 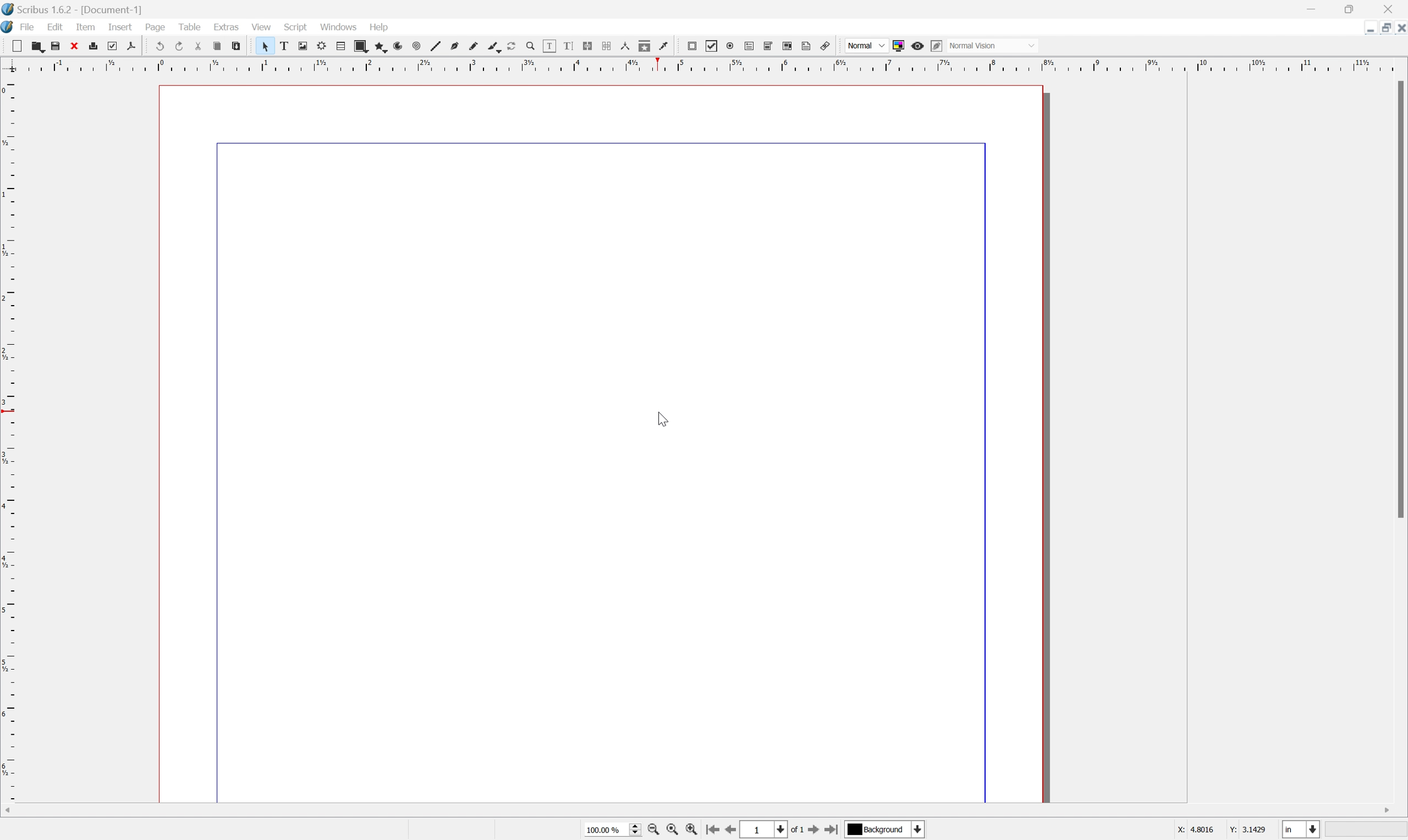 I want to click on text box, so click(x=284, y=46).